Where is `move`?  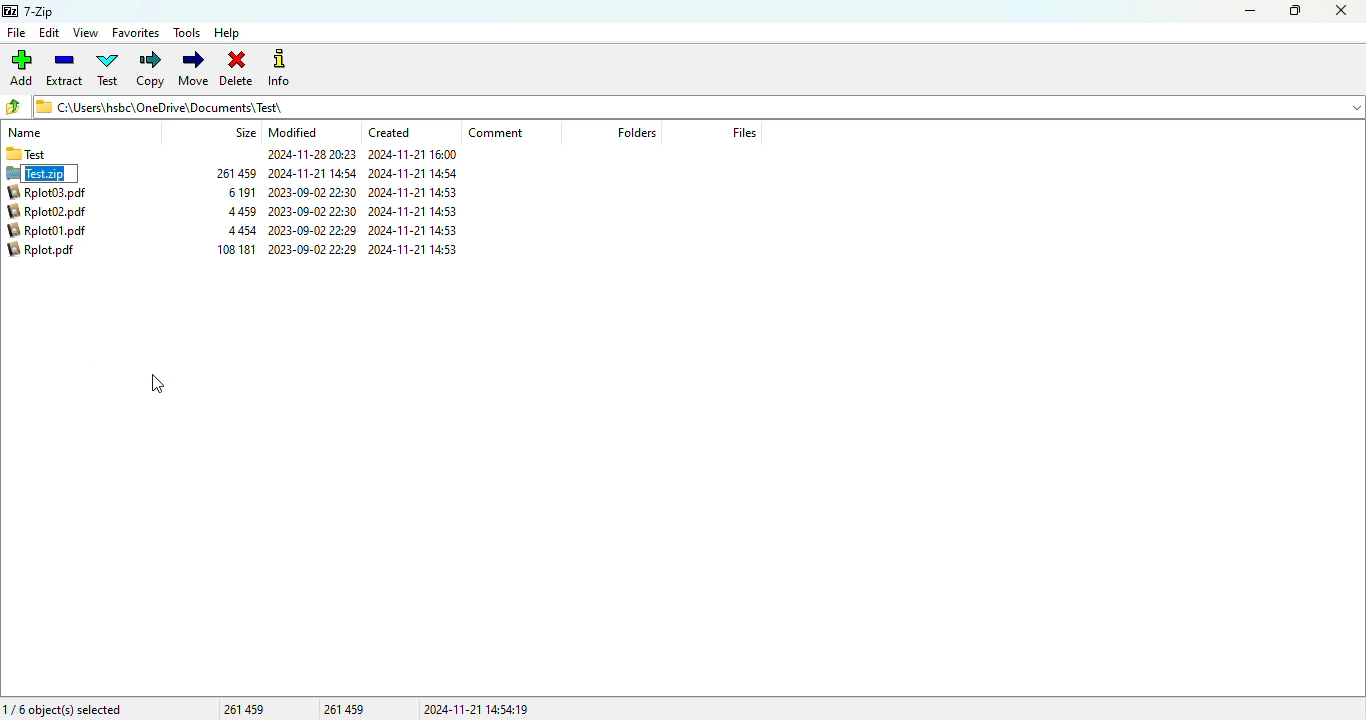
move is located at coordinates (194, 68).